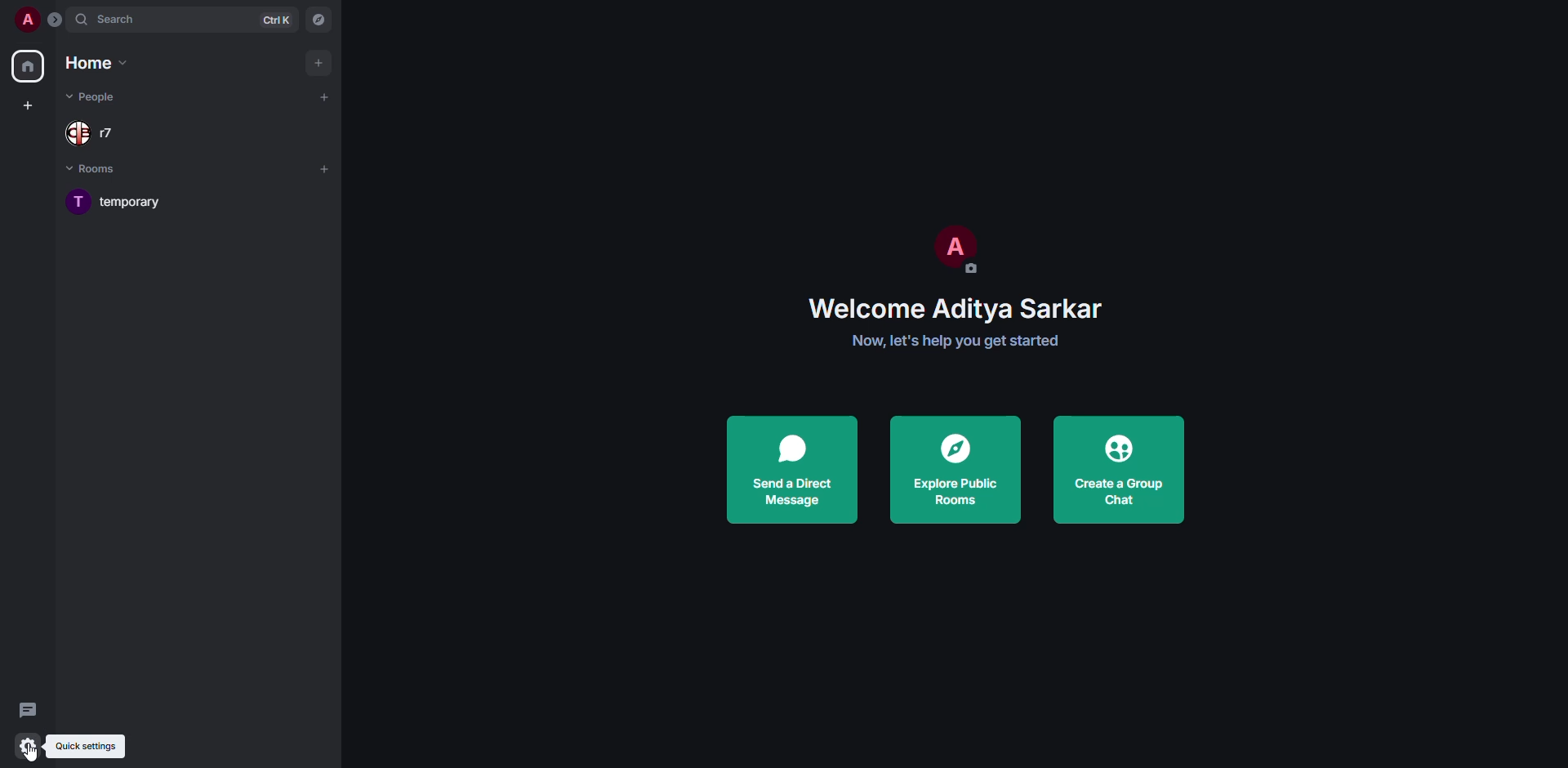 The width and height of the screenshot is (1568, 768). I want to click on welcome, so click(957, 307).